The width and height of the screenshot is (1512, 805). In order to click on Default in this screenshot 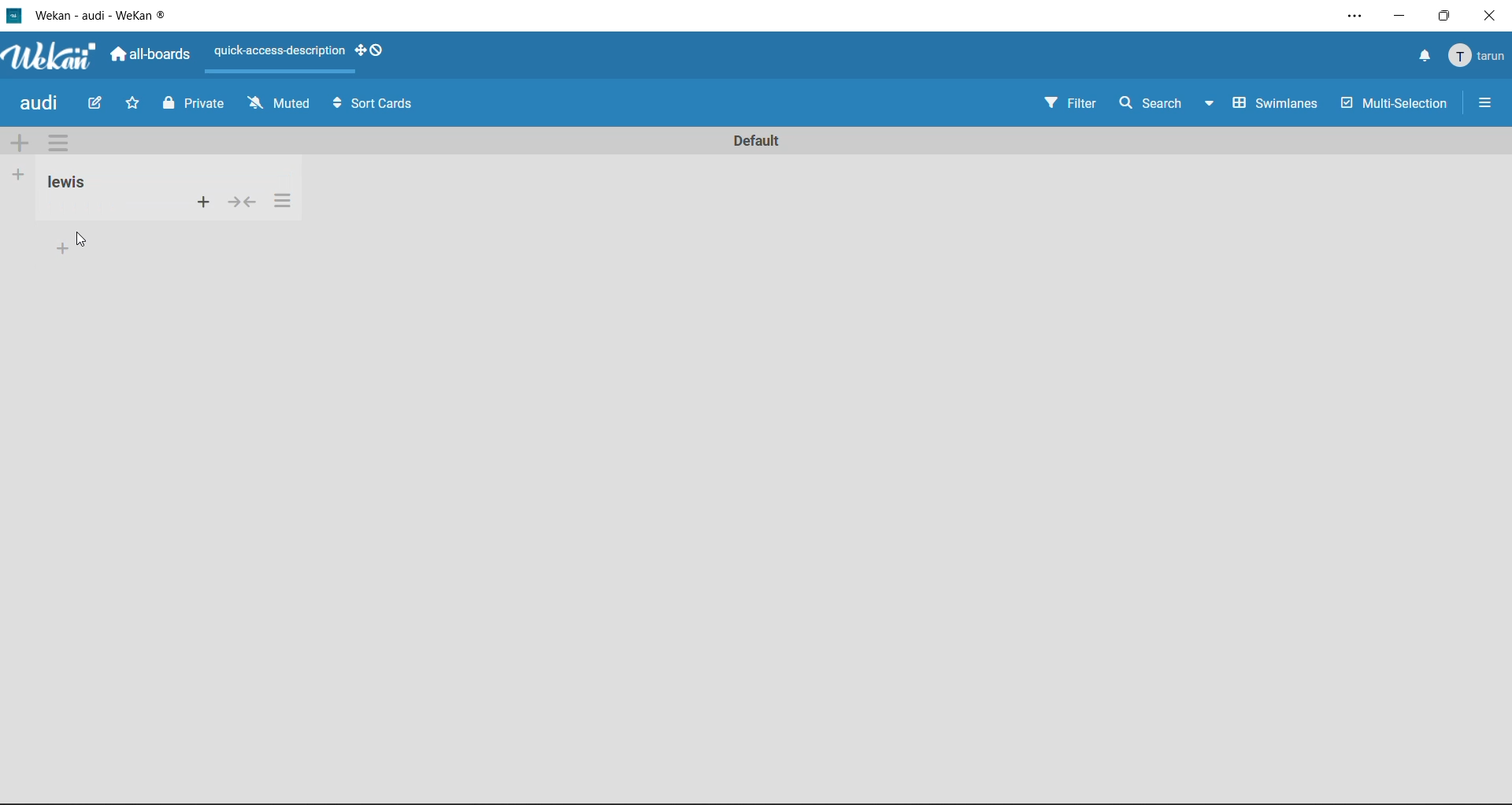, I will do `click(756, 136)`.